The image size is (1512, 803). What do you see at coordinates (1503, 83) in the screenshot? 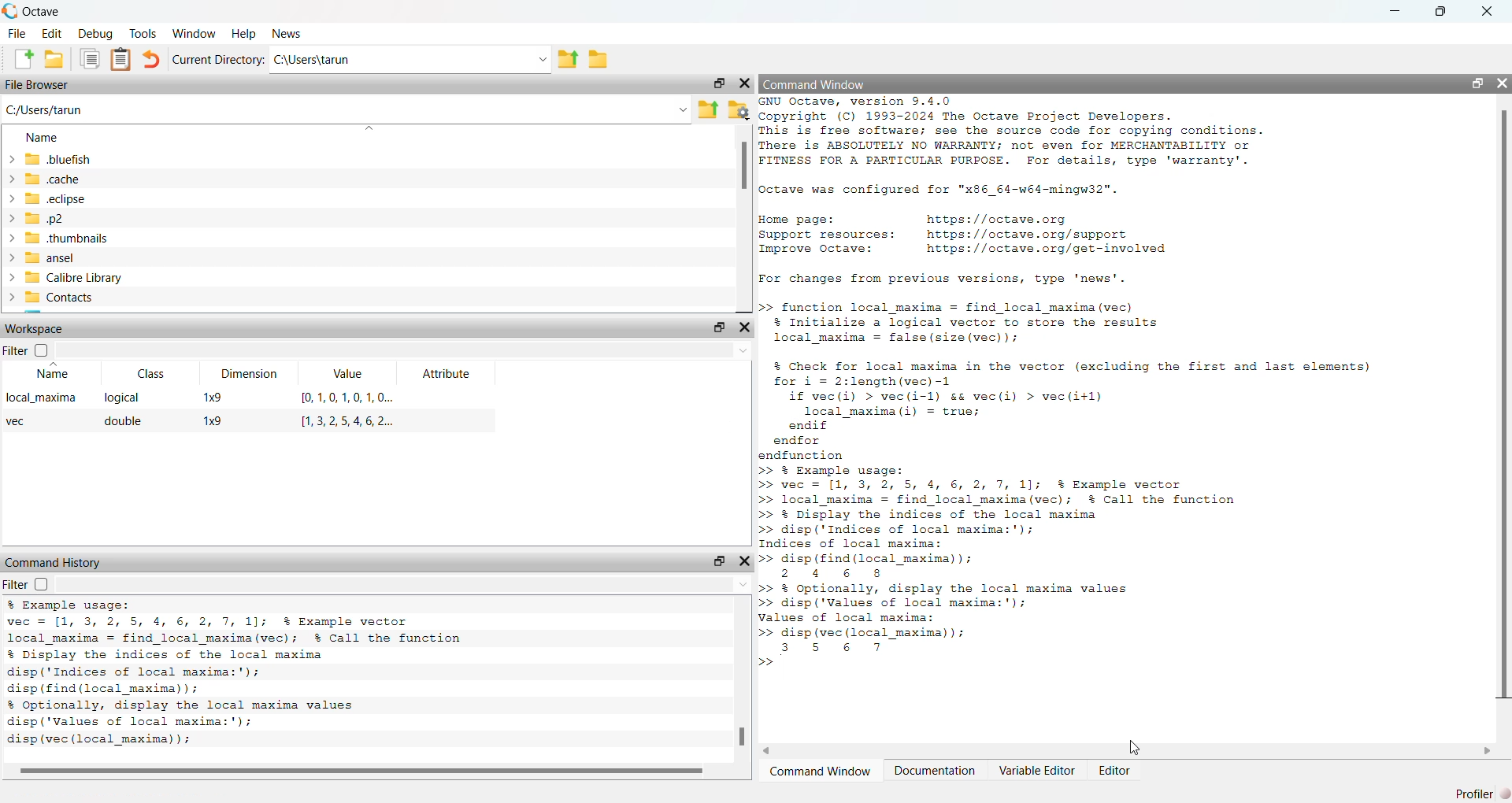
I see `Hide Widget` at bounding box center [1503, 83].